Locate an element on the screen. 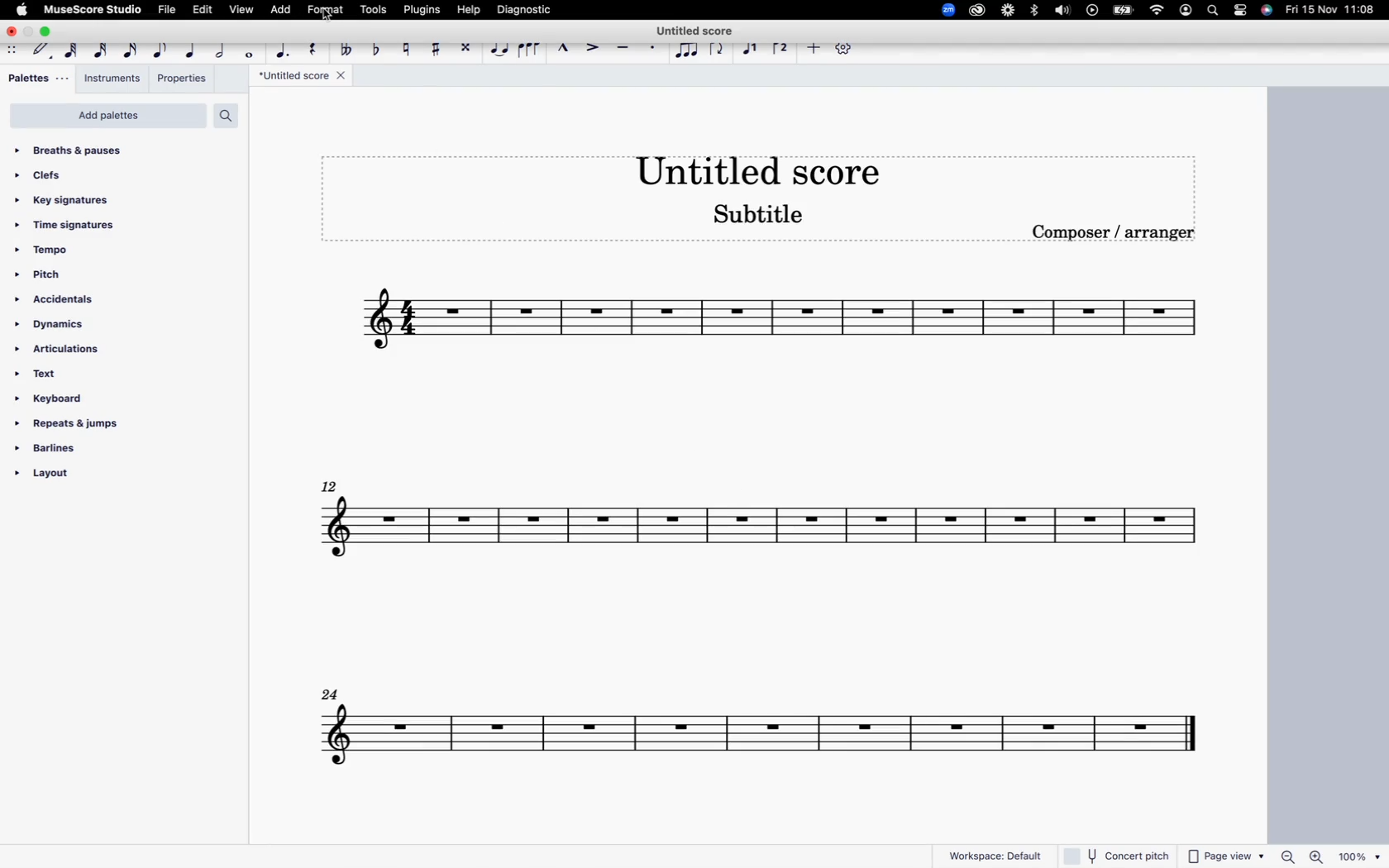  16th note is located at coordinates (129, 50).